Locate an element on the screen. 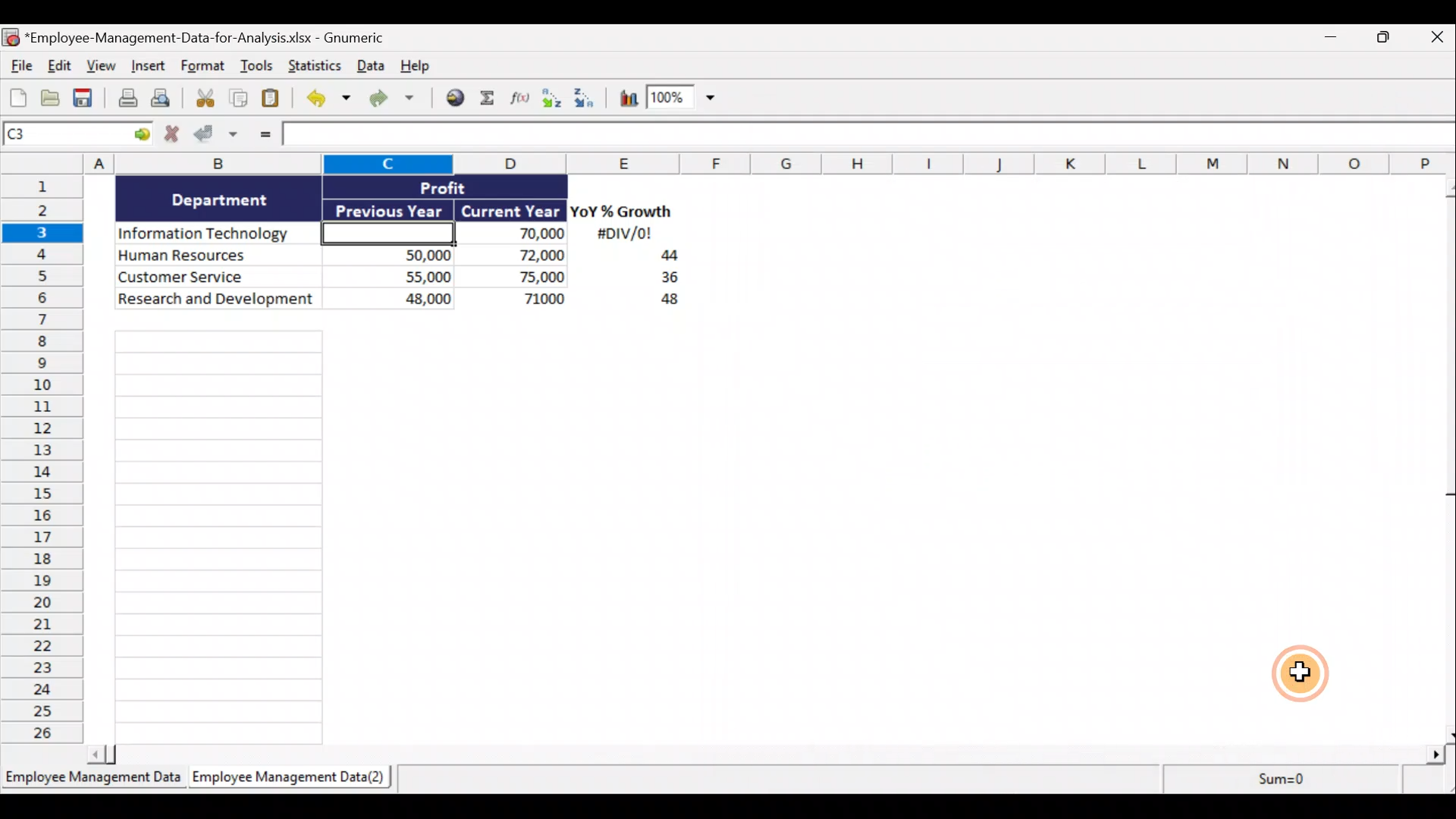  File is located at coordinates (18, 67).